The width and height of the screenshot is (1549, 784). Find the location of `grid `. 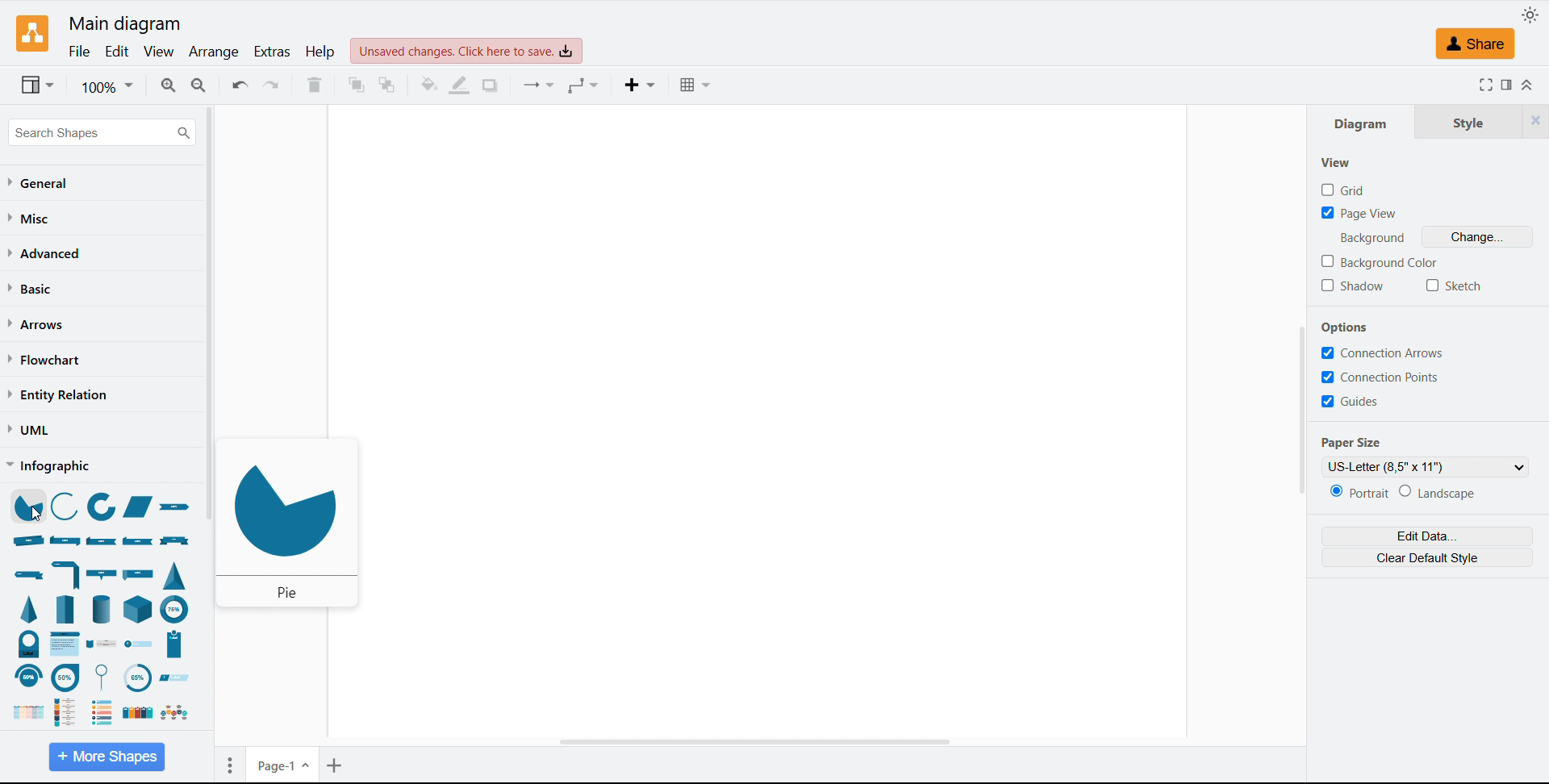

grid  is located at coordinates (1341, 190).